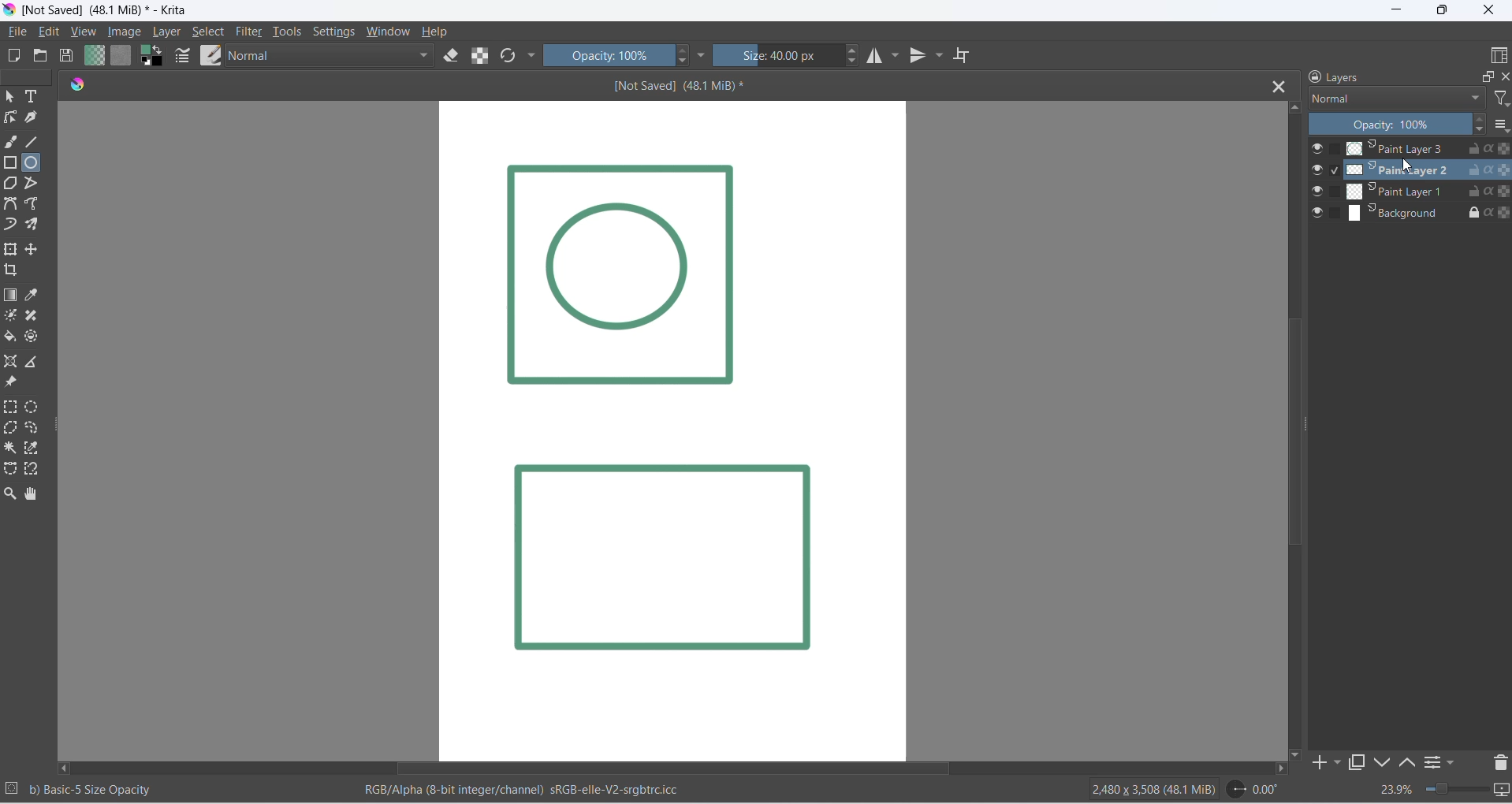  What do you see at coordinates (37, 98) in the screenshot?
I see `text` at bounding box center [37, 98].